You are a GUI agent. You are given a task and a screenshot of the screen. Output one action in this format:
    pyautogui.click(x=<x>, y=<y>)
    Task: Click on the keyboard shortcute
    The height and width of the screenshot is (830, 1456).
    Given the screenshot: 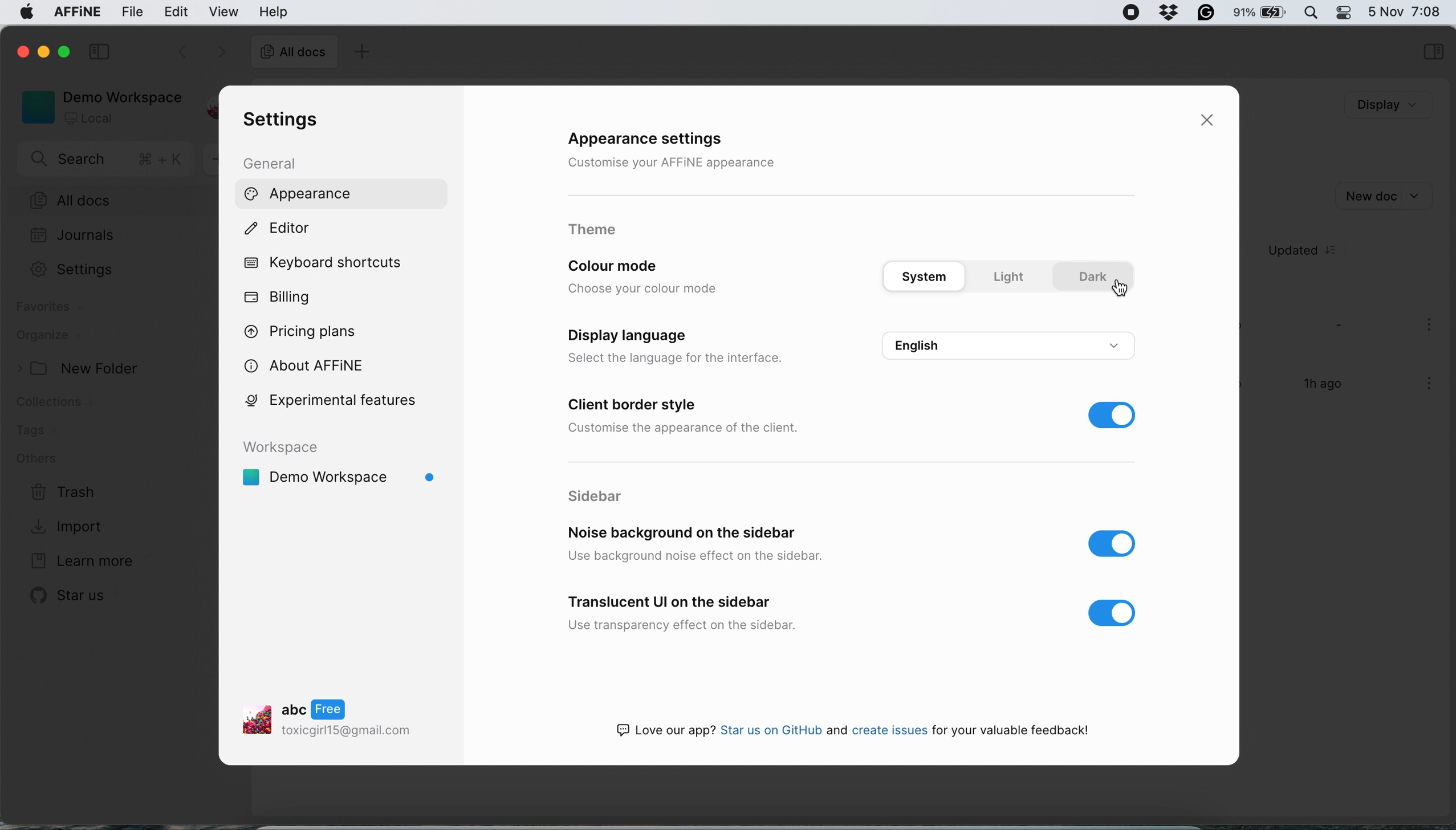 What is the action you would take?
    pyautogui.click(x=332, y=264)
    